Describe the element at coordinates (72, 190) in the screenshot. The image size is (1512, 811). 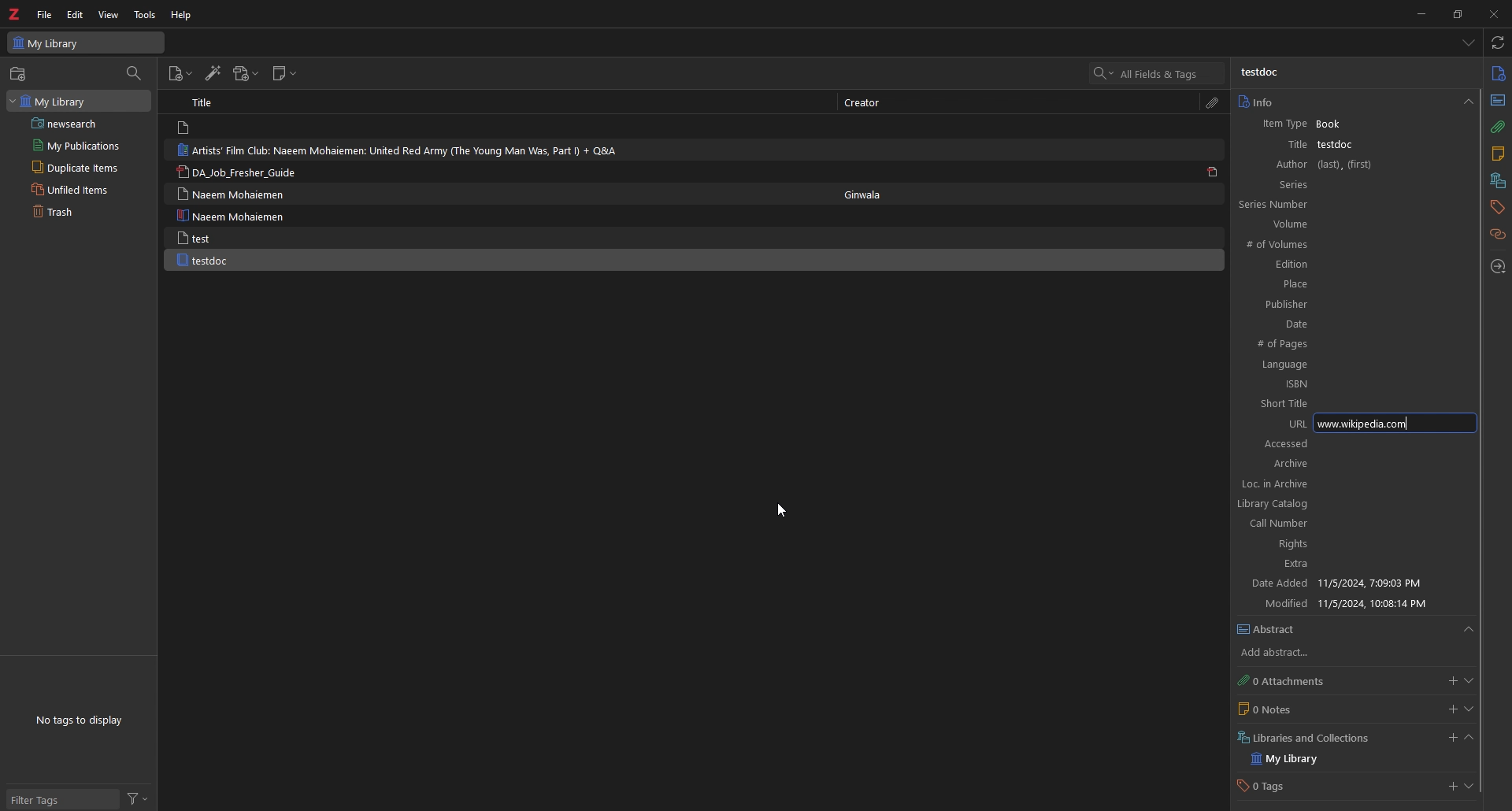
I see `unfiled items` at that location.